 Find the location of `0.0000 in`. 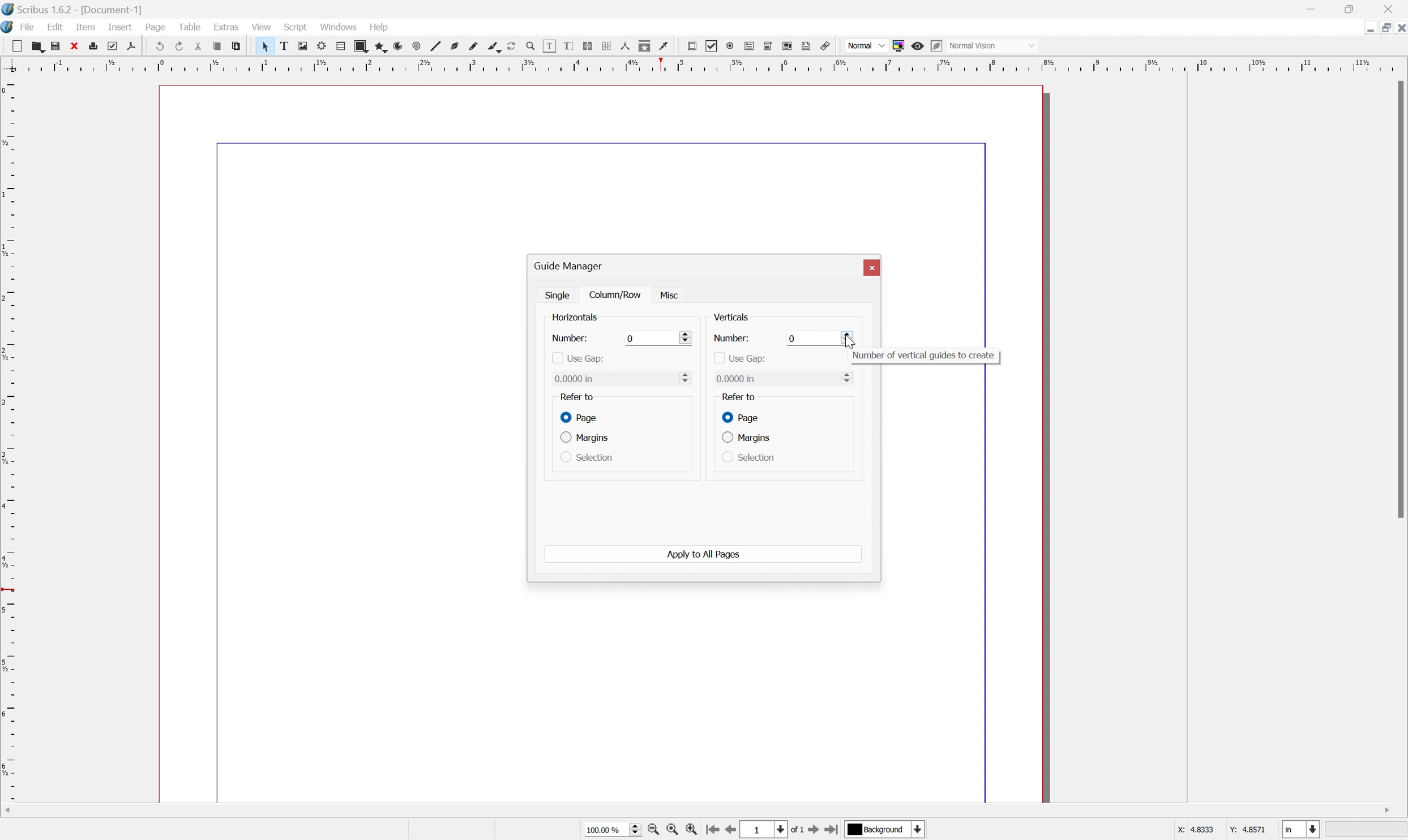

0.0000 in is located at coordinates (785, 379).